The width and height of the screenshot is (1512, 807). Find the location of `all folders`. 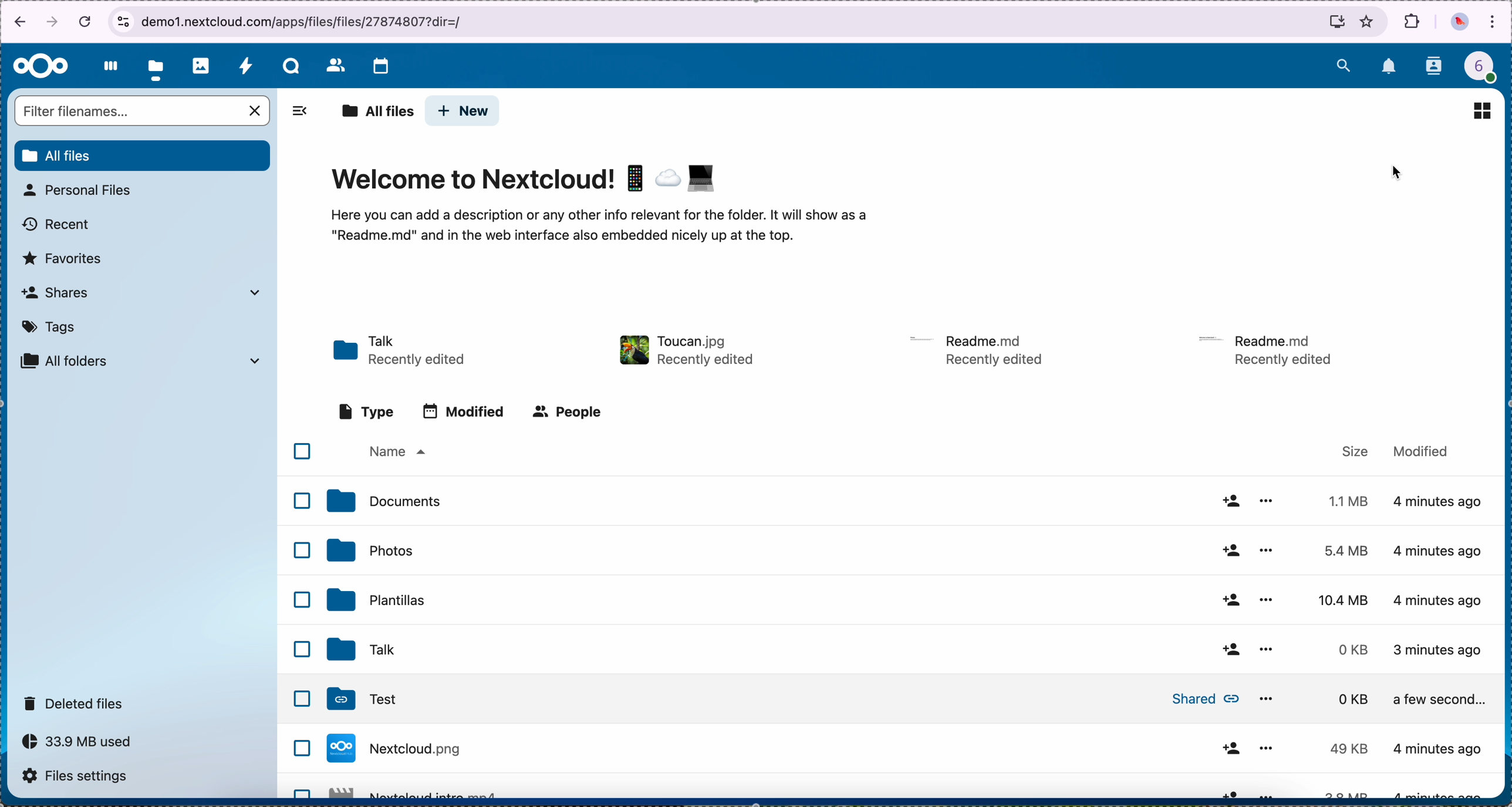

all folders is located at coordinates (141, 361).